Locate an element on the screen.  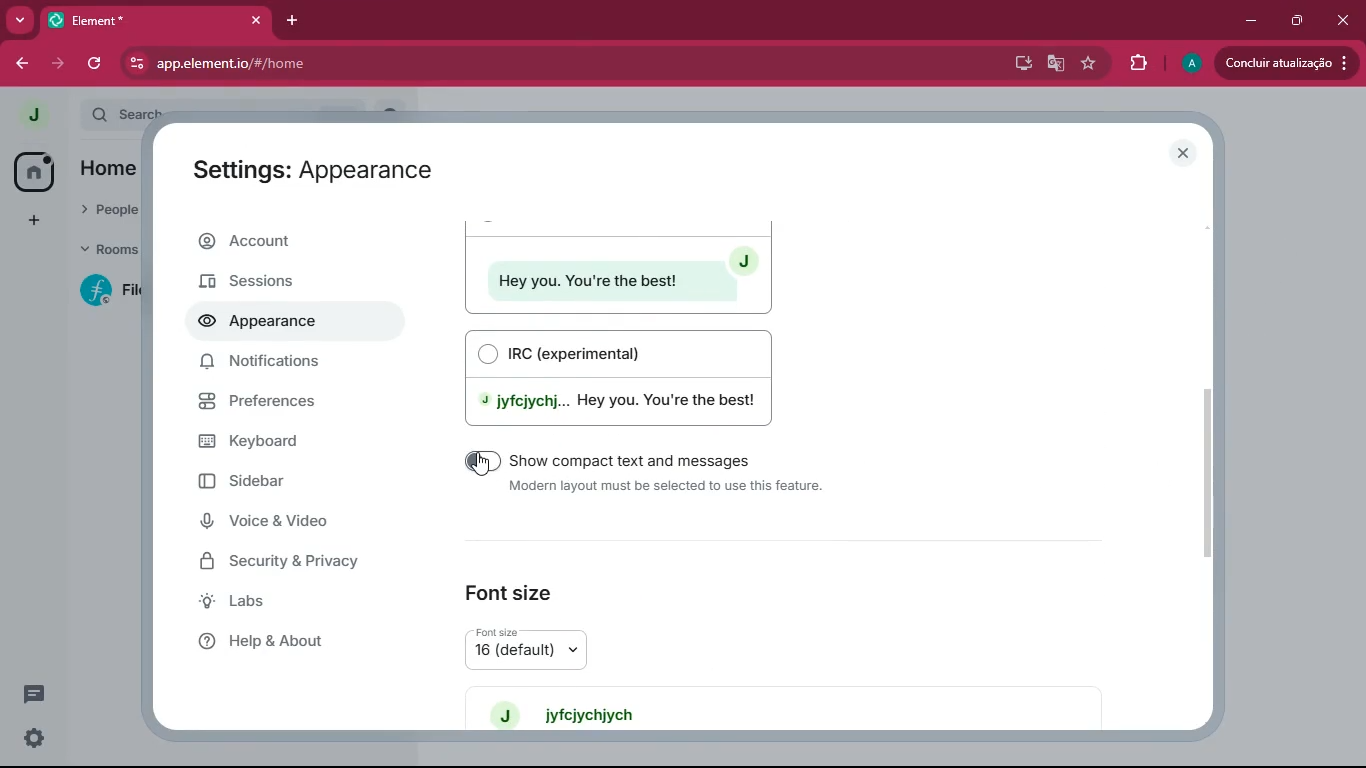
labs is located at coordinates (286, 603).